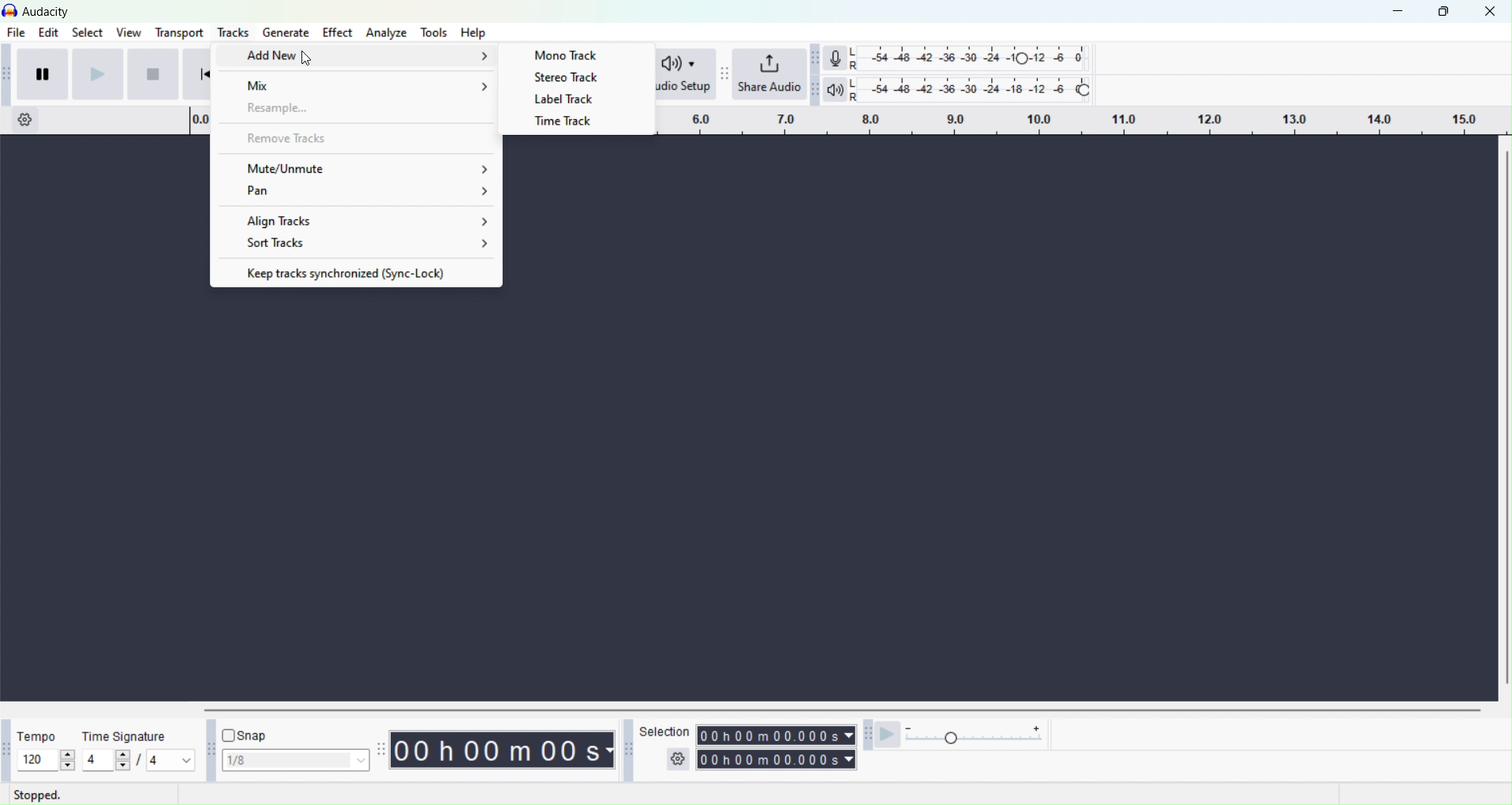  I want to click on Remove tools, so click(357, 138).